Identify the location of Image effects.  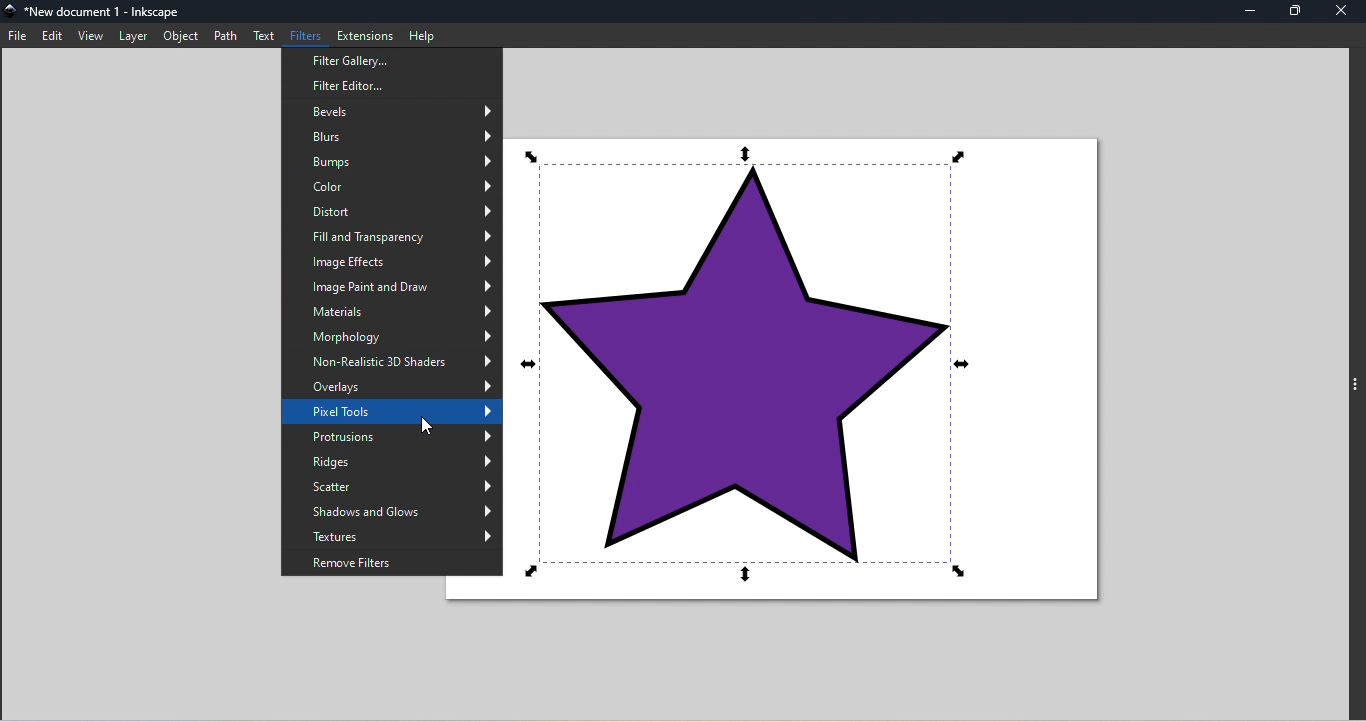
(393, 262).